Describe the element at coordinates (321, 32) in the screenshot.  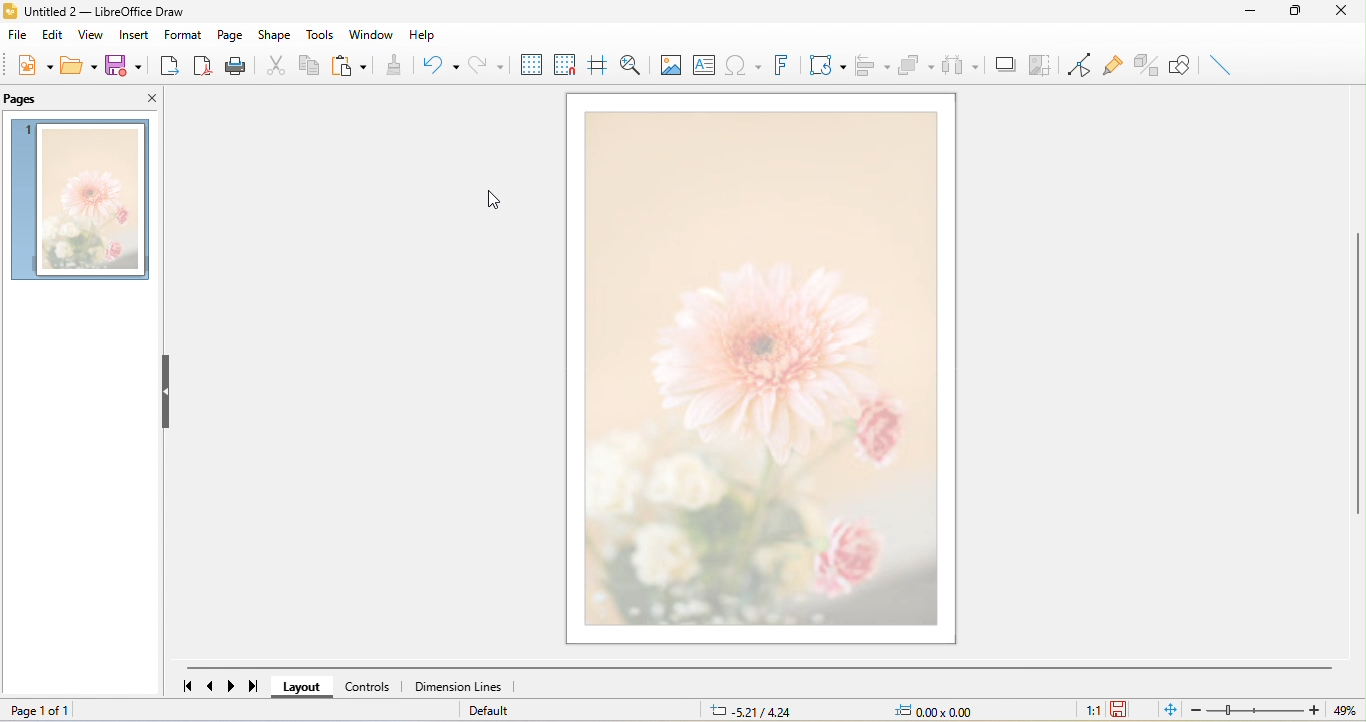
I see `tools` at that location.